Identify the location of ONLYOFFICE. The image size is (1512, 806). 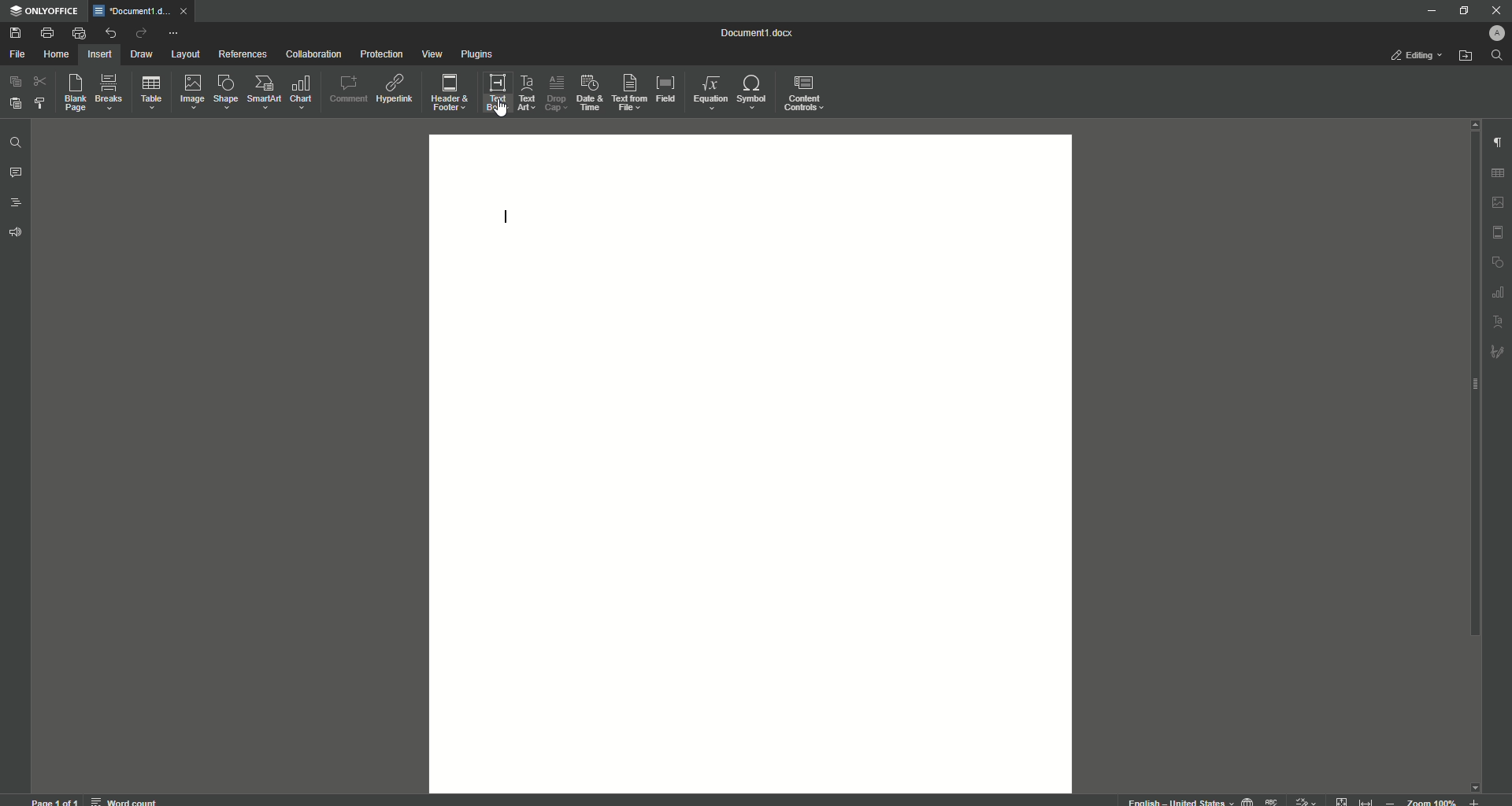
(45, 12).